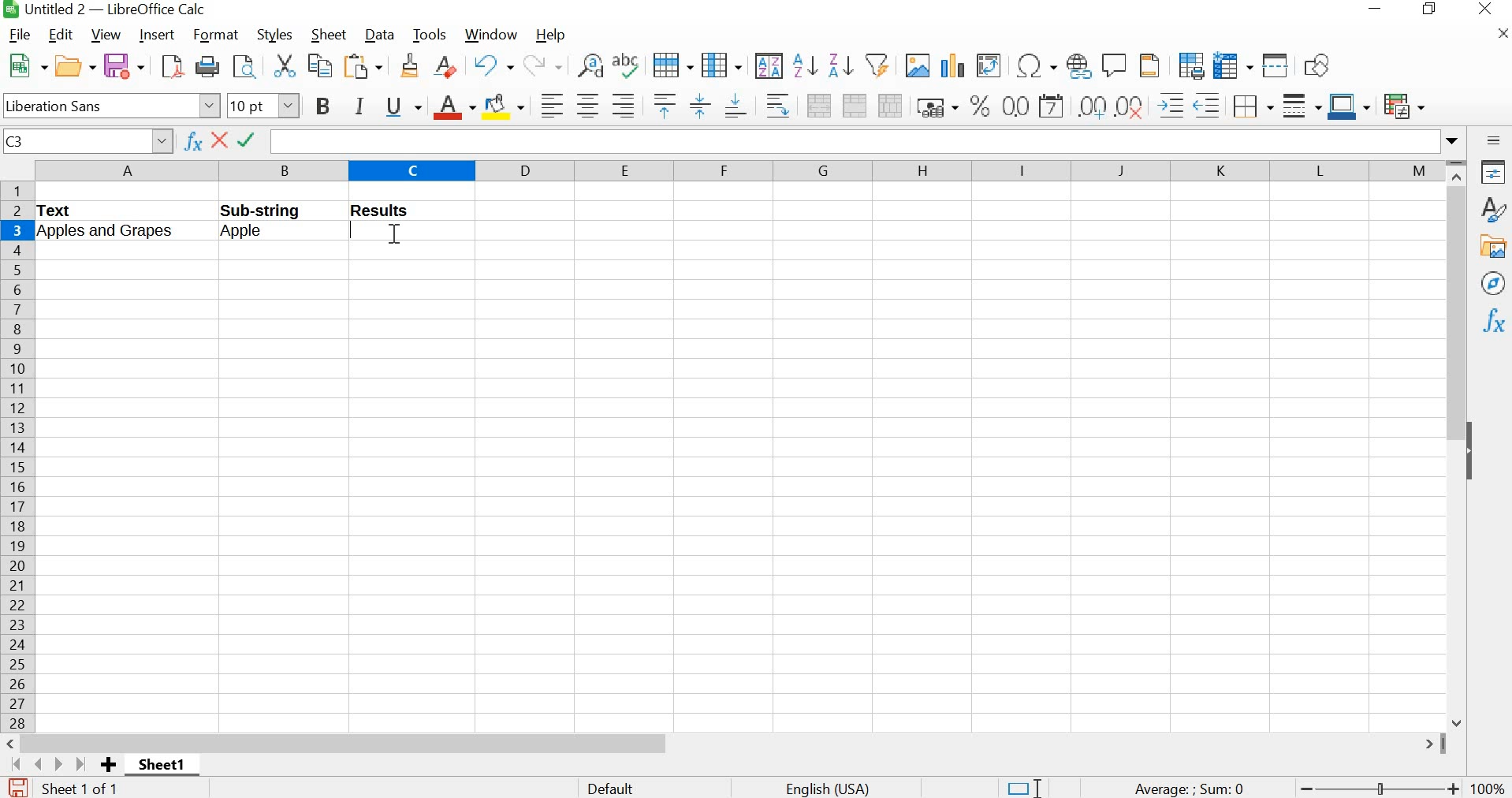  Describe the element at coordinates (1034, 67) in the screenshot. I see `insert special characters` at that location.